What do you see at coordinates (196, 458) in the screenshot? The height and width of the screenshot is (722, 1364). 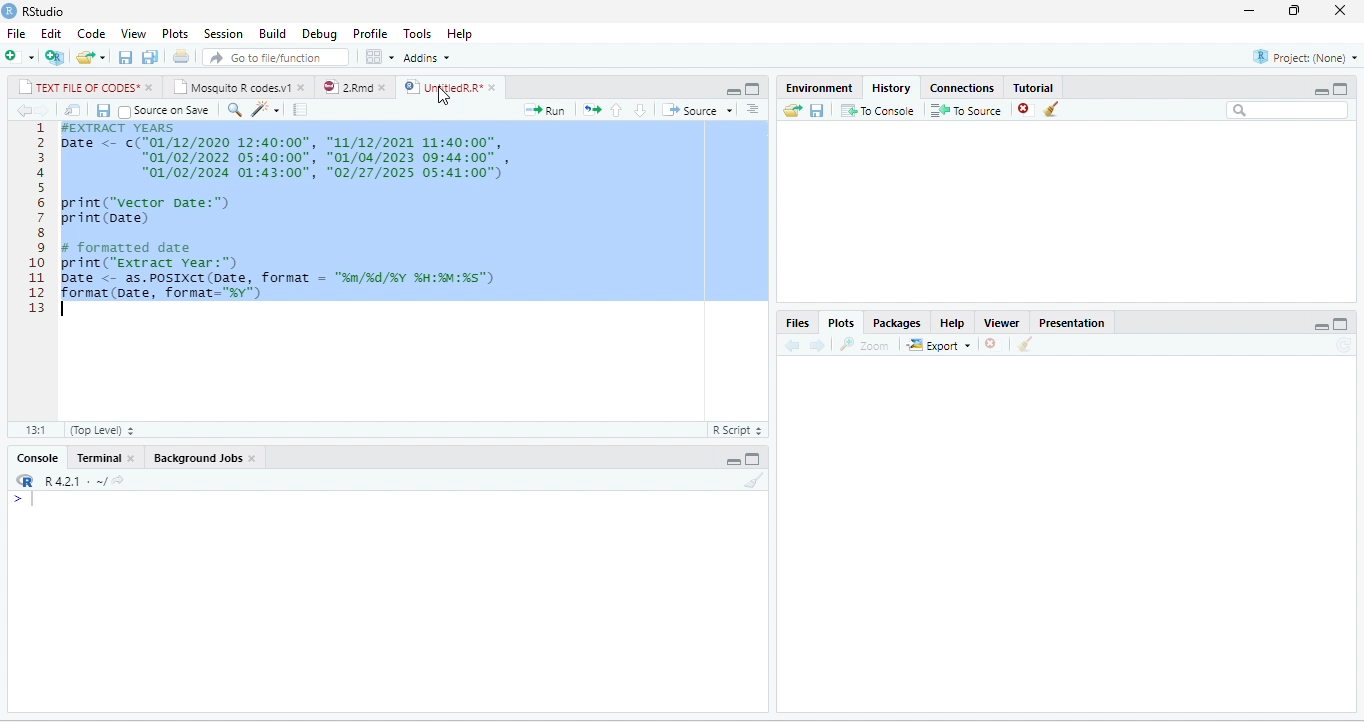 I see `Background Jobs` at bounding box center [196, 458].